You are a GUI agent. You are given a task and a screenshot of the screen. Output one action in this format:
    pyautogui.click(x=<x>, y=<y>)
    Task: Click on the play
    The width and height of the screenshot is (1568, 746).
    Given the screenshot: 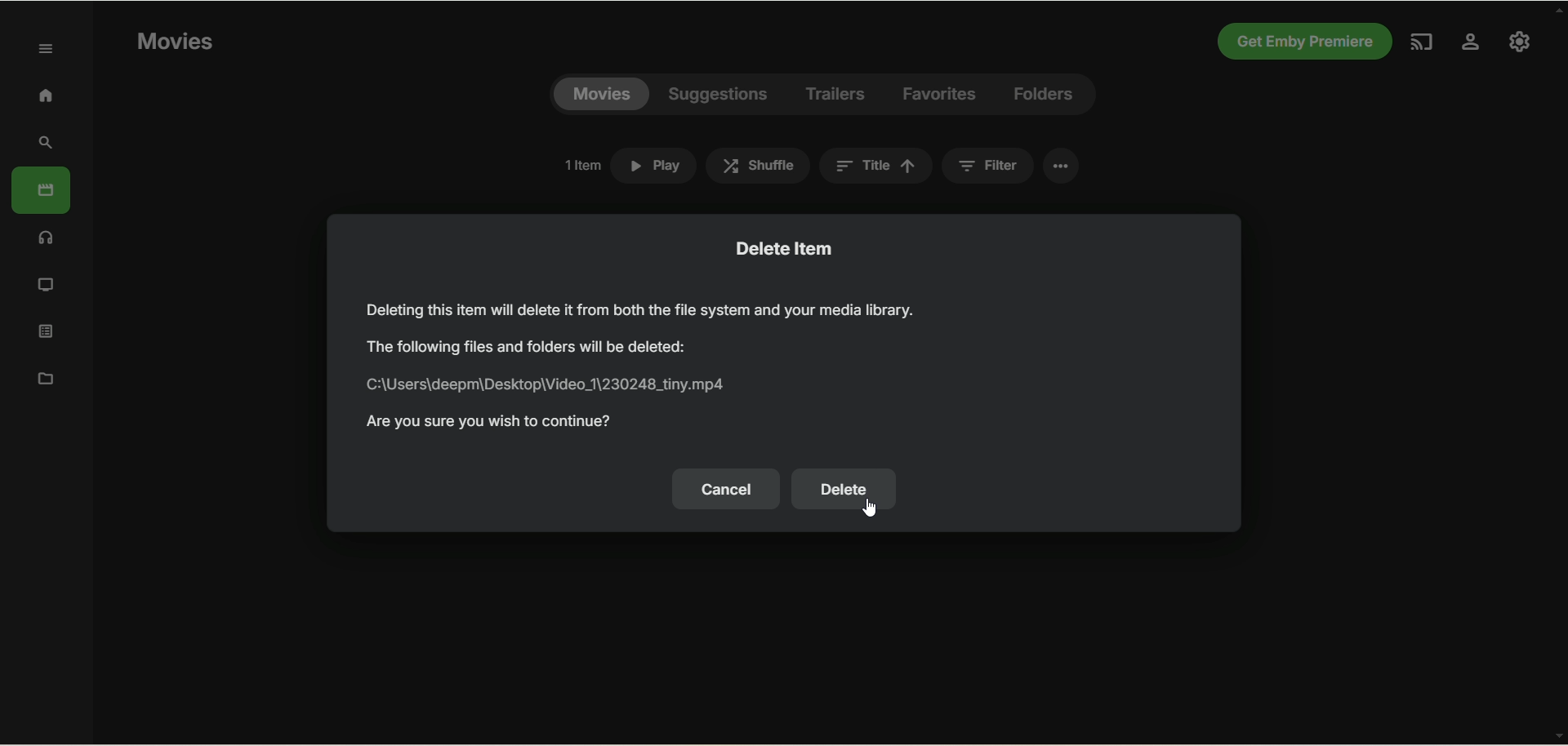 What is the action you would take?
    pyautogui.click(x=653, y=166)
    